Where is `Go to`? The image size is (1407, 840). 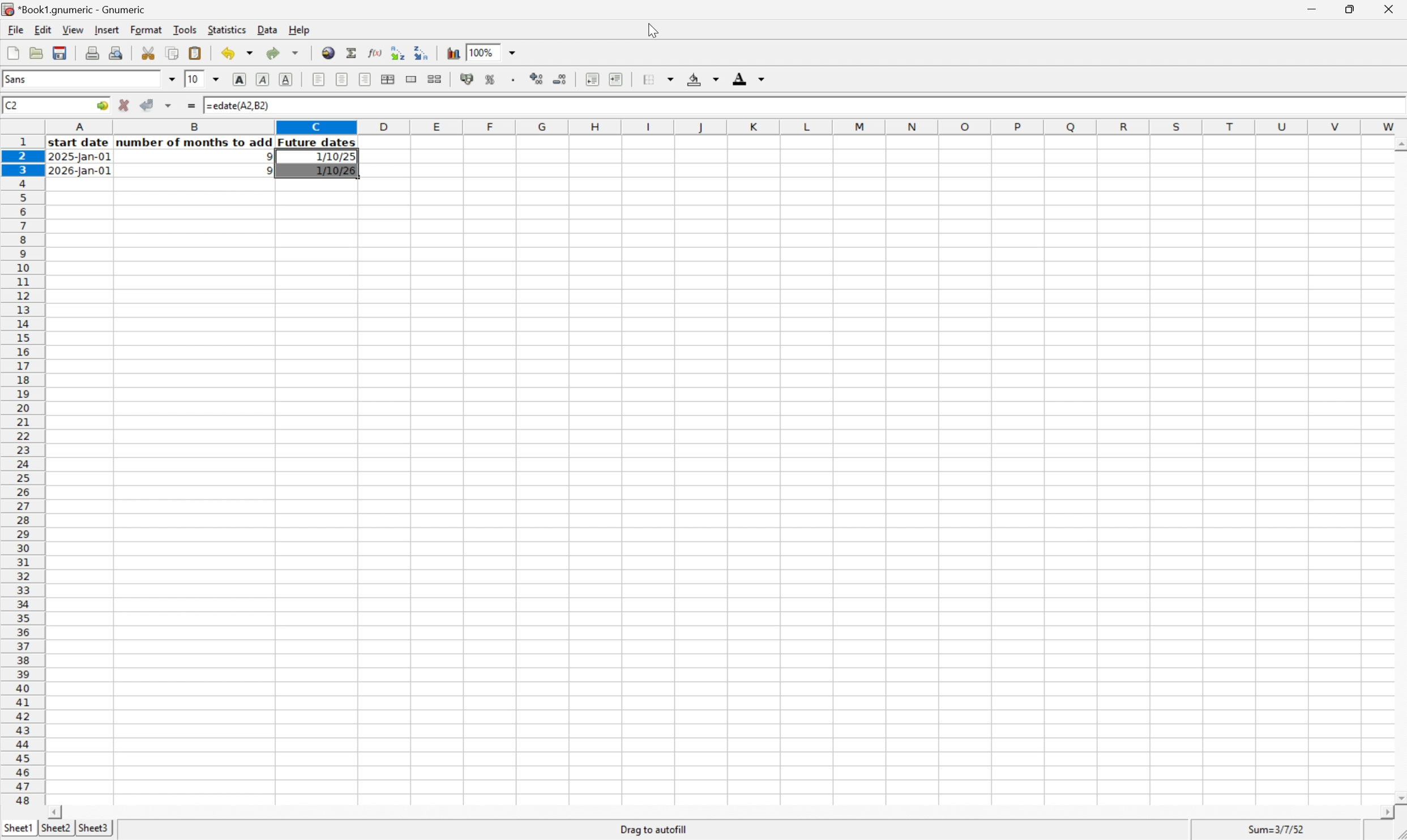 Go to is located at coordinates (101, 105).